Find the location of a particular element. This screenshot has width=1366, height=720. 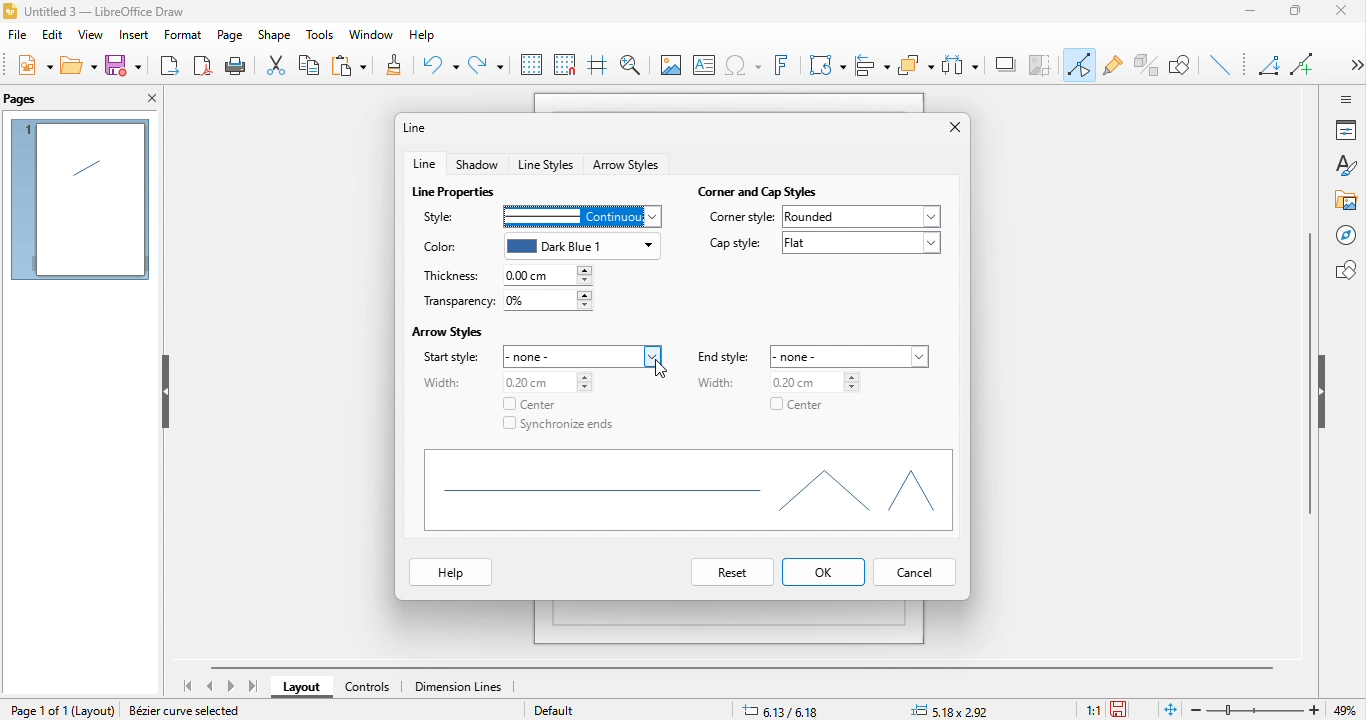

flat is located at coordinates (861, 248).